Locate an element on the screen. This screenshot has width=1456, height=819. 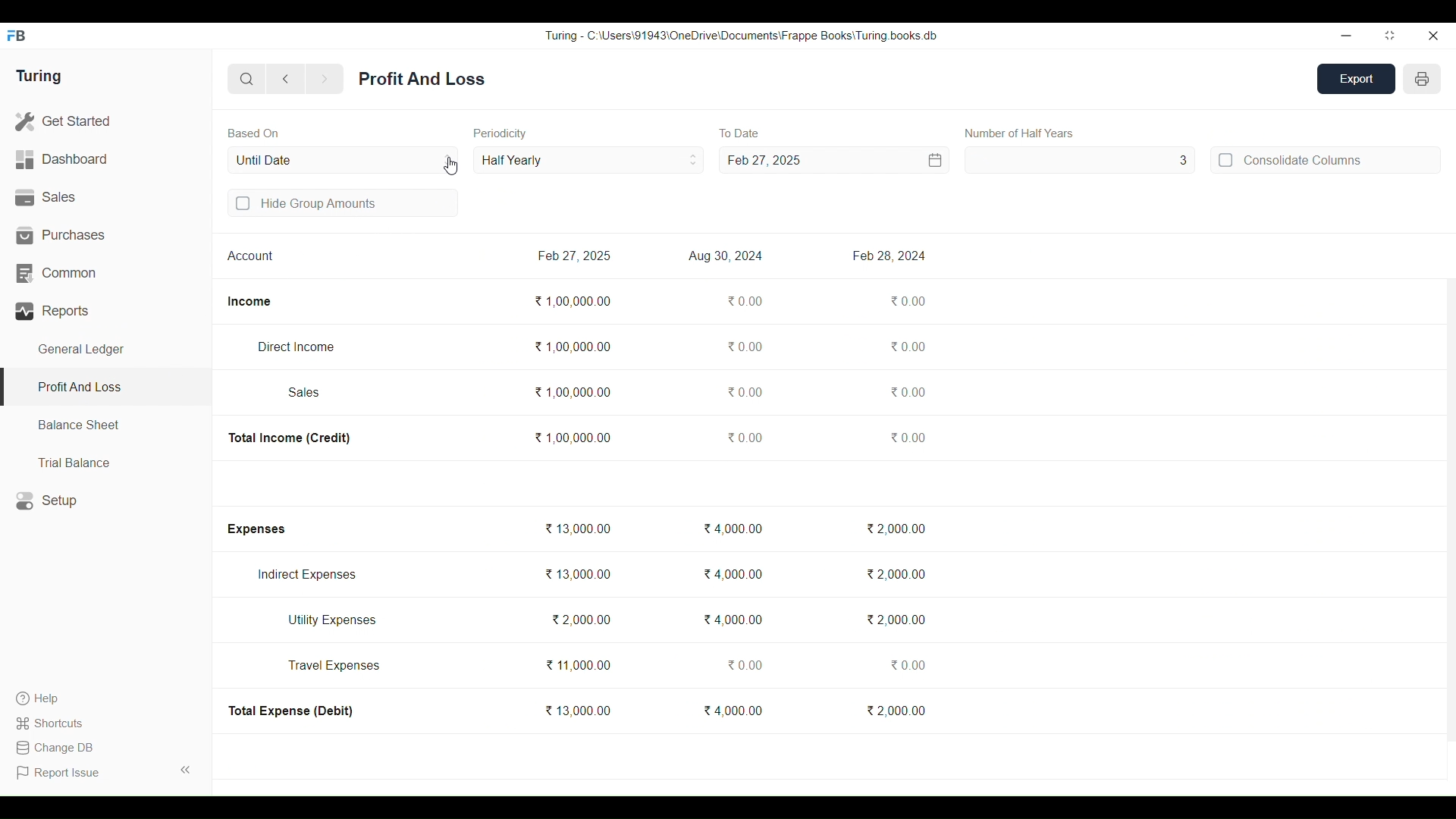
Indirect Expenses is located at coordinates (307, 575).